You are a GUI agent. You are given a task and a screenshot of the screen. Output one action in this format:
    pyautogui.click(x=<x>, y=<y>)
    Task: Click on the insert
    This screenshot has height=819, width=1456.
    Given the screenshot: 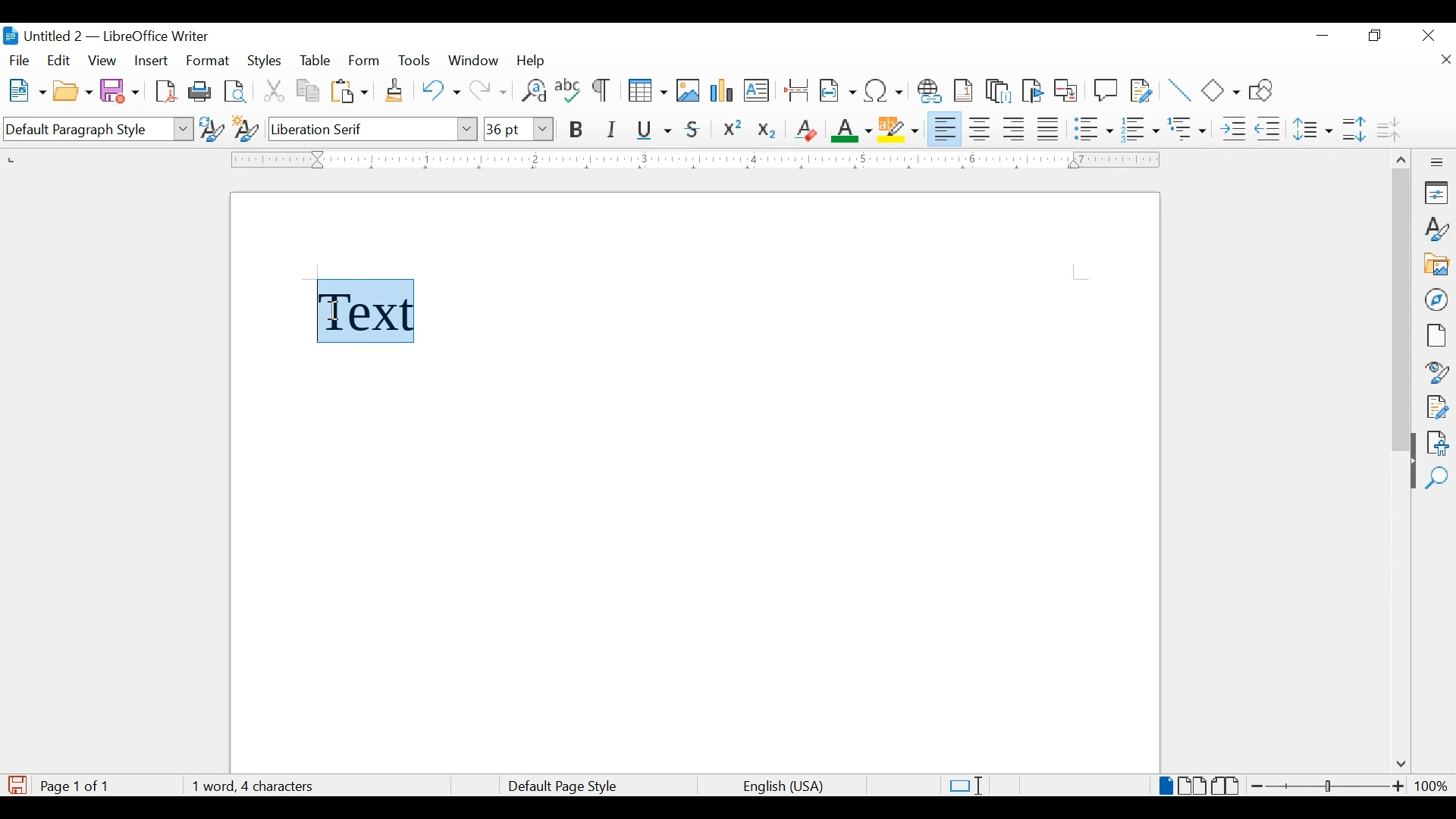 What is the action you would take?
    pyautogui.click(x=150, y=61)
    